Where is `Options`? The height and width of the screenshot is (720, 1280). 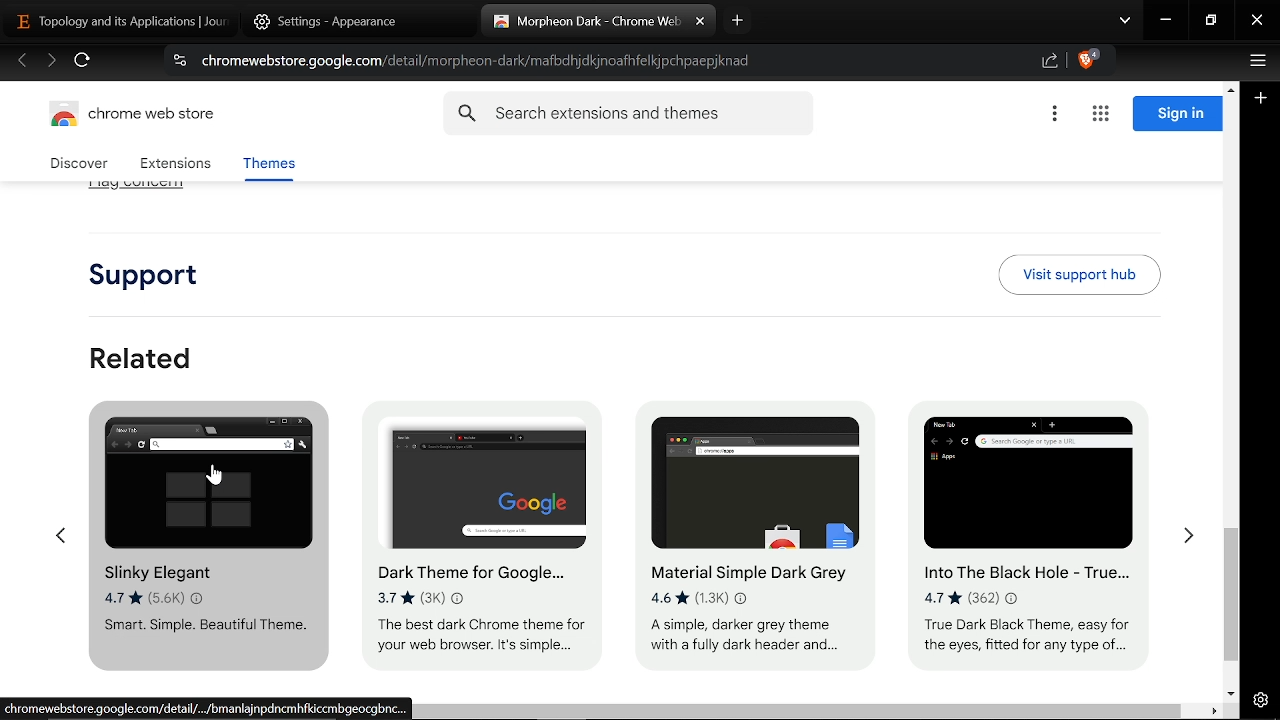
Options is located at coordinates (1054, 115).